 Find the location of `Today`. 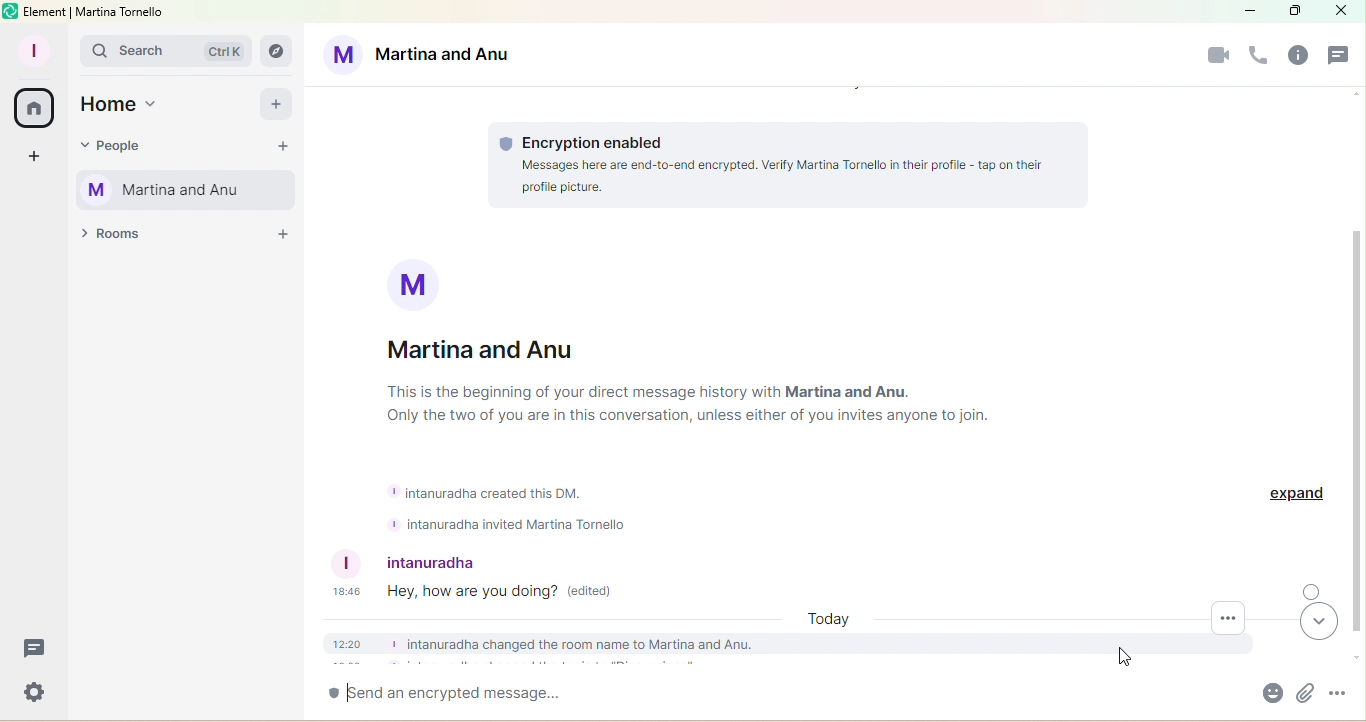

Today is located at coordinates (828, 617).